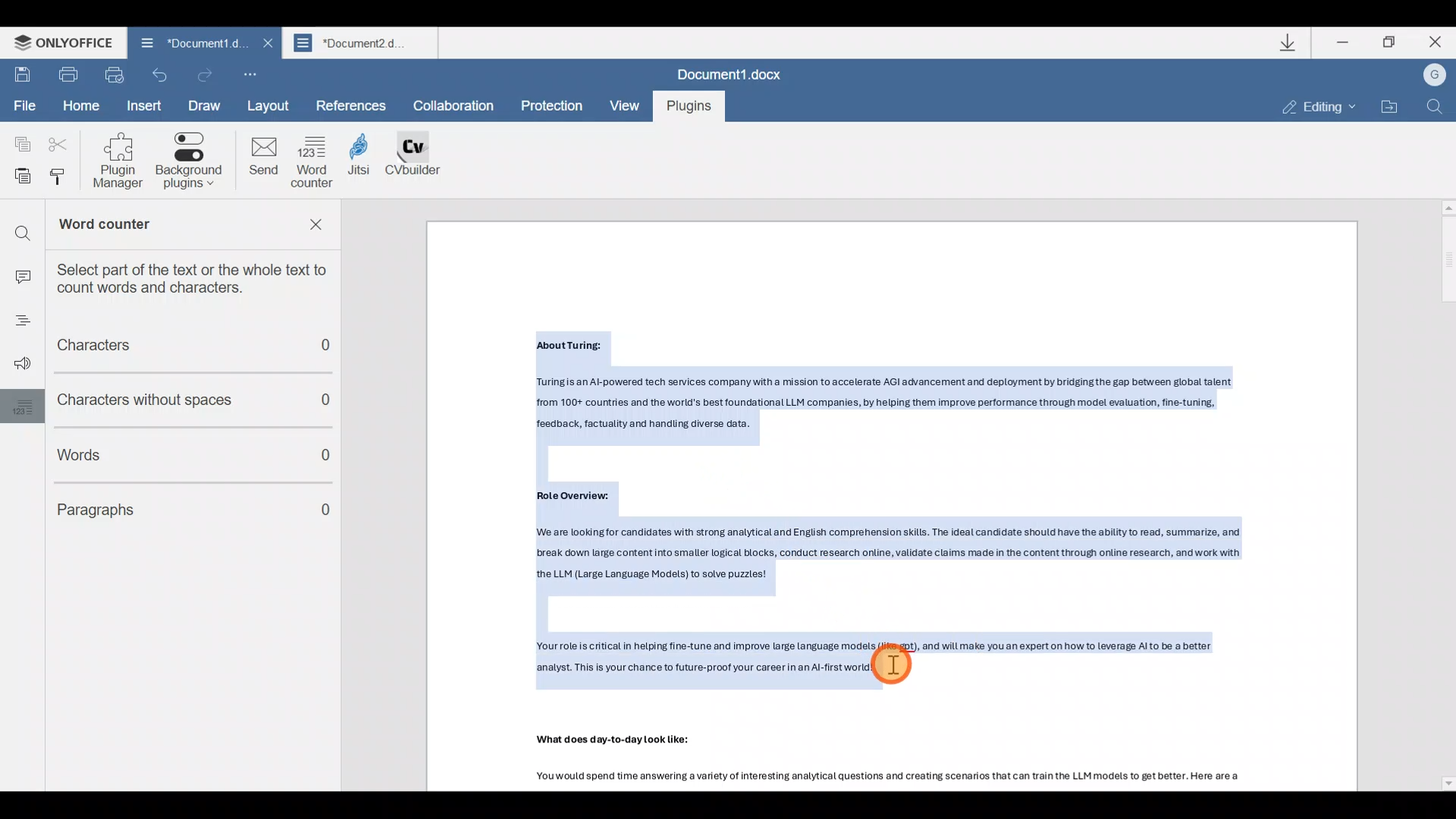 Image resolution: width=1456 pixels, height=819 pixels. Describe the element at coordinates (18, 365) in the screenshot. I see `Voice settings` at that location.